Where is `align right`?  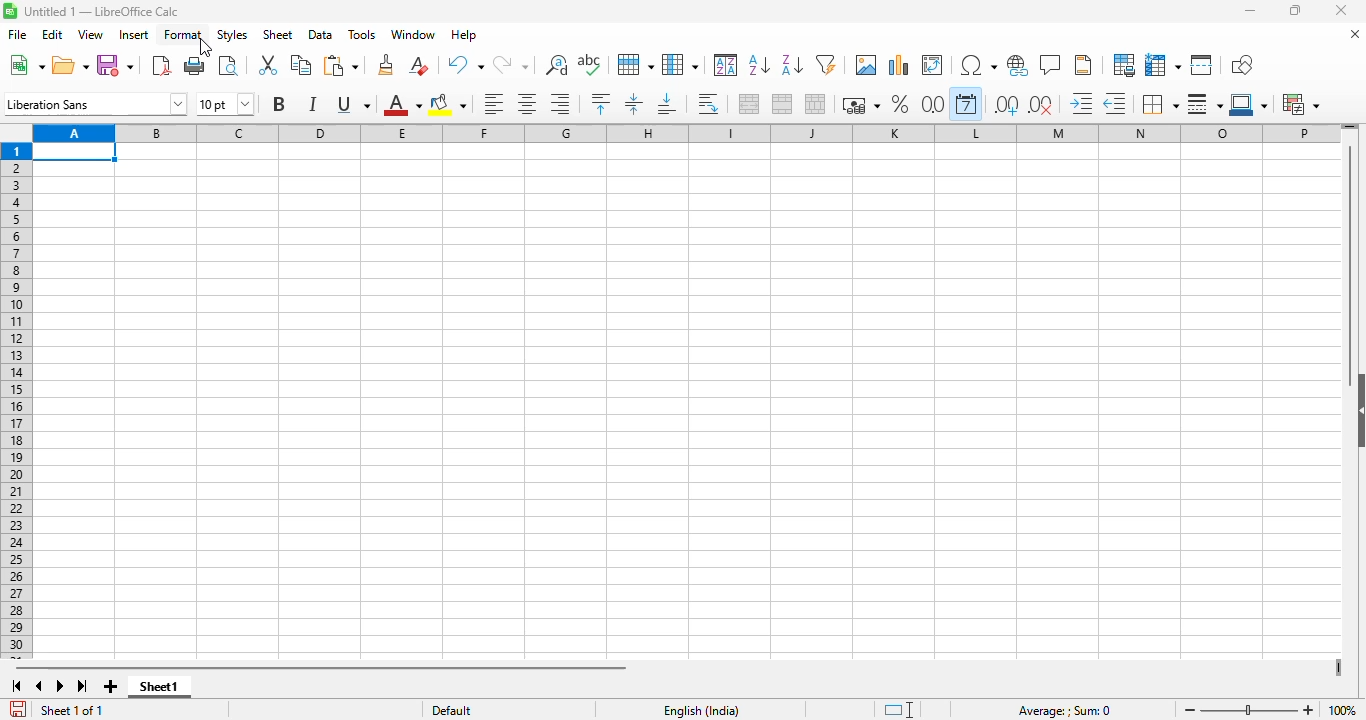 align right is located at coordinates (560, 104).